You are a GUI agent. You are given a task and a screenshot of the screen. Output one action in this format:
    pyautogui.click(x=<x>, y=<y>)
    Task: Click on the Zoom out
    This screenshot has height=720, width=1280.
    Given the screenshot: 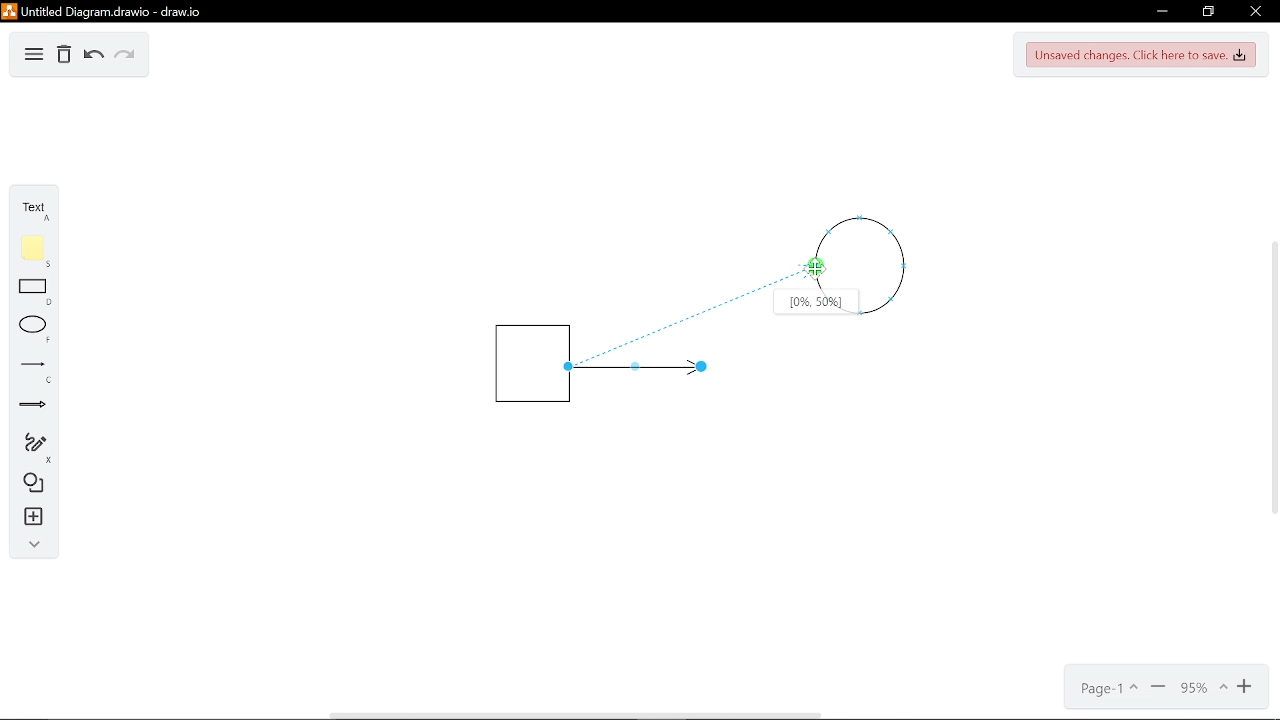 What is the action you would take?
    pyautogui.click(x=1158, y=686)
    